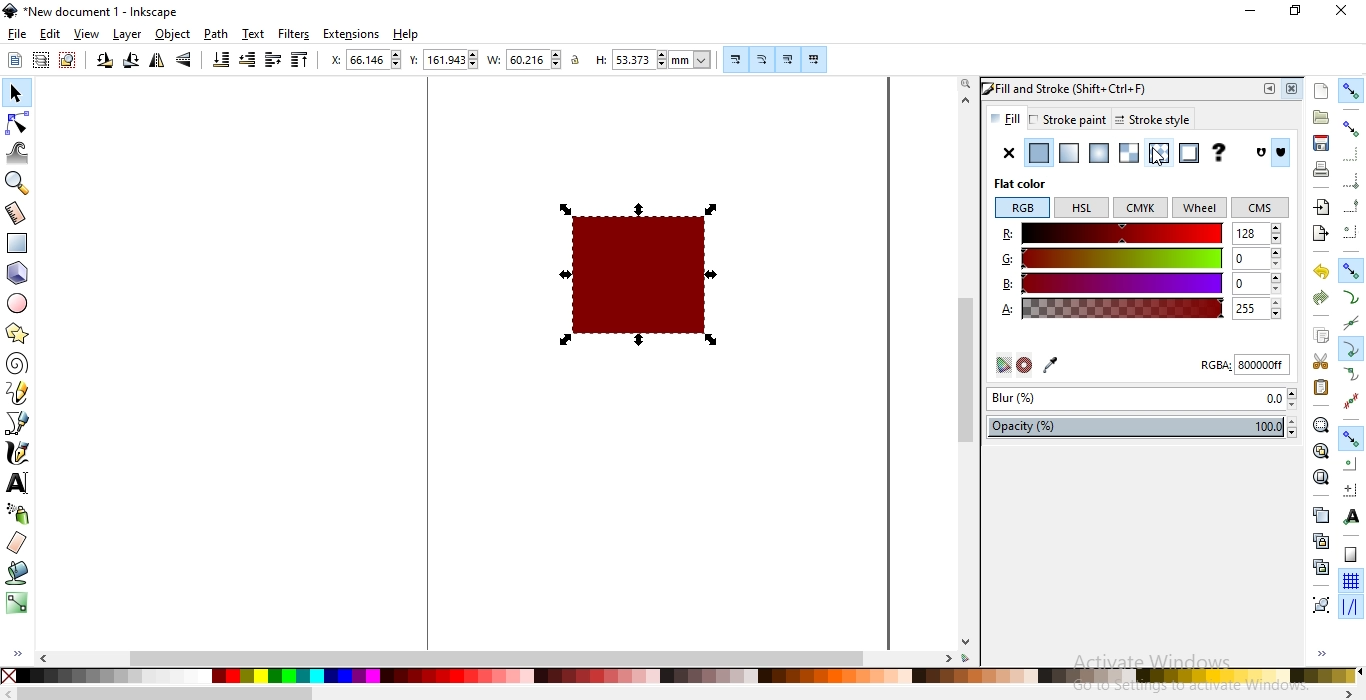 This screenshot has width=1366, height=700. I want to click on path, so click(216, 34).